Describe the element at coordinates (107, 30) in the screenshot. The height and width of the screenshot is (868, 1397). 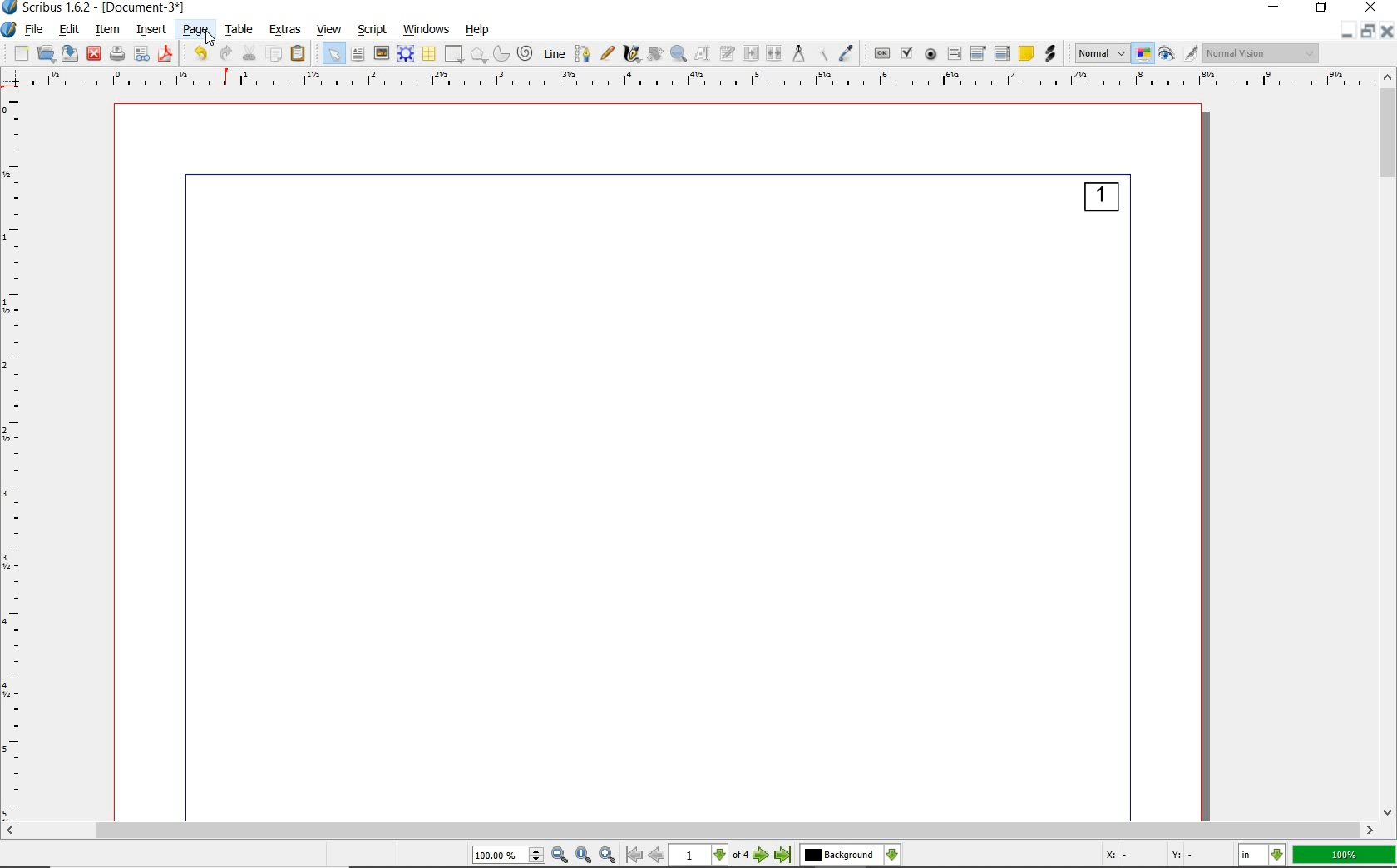
I see `item` at that location.